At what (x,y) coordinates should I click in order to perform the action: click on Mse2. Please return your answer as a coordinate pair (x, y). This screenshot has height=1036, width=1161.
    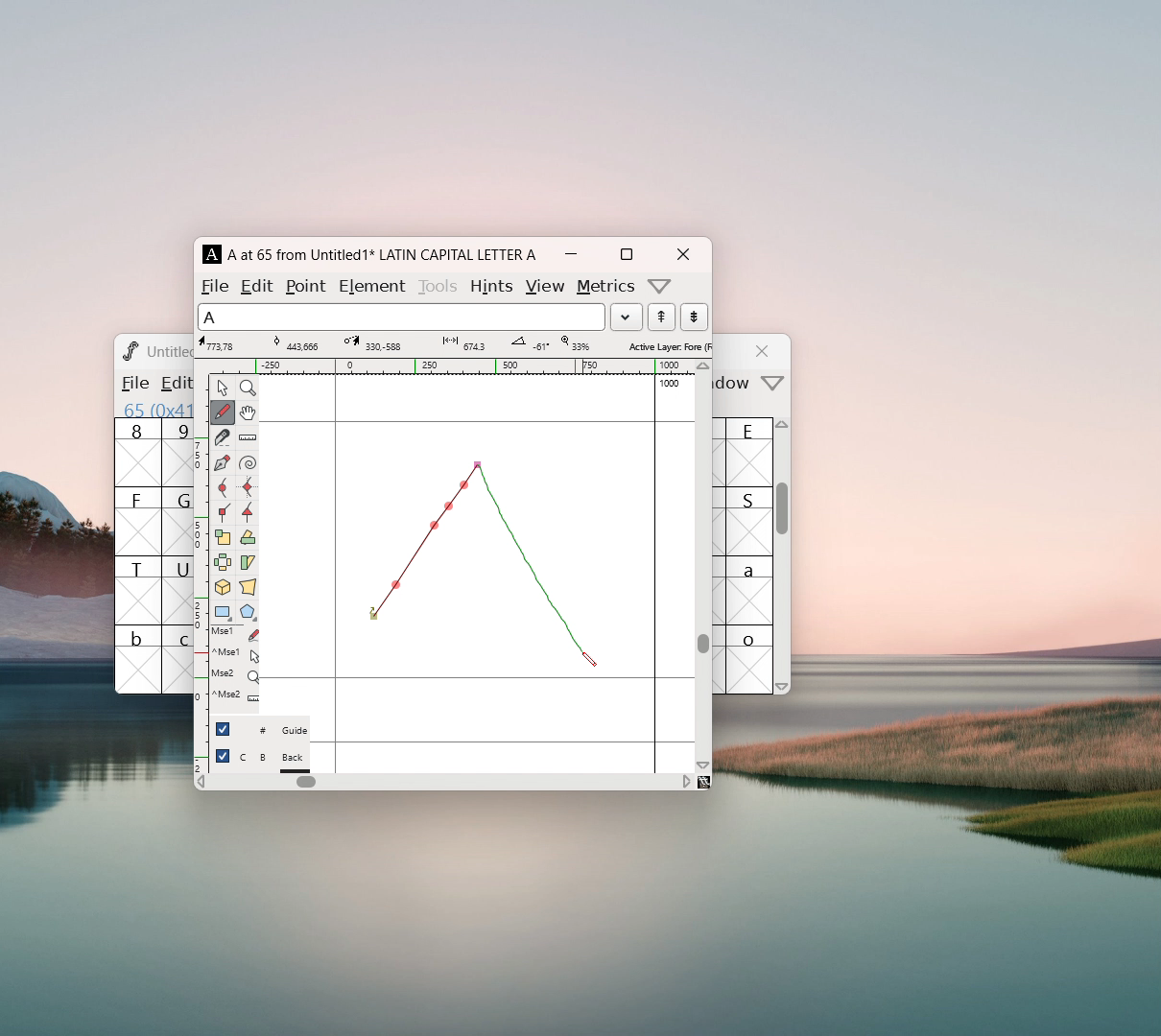
    Looking at the image, I should click on (235, 674).